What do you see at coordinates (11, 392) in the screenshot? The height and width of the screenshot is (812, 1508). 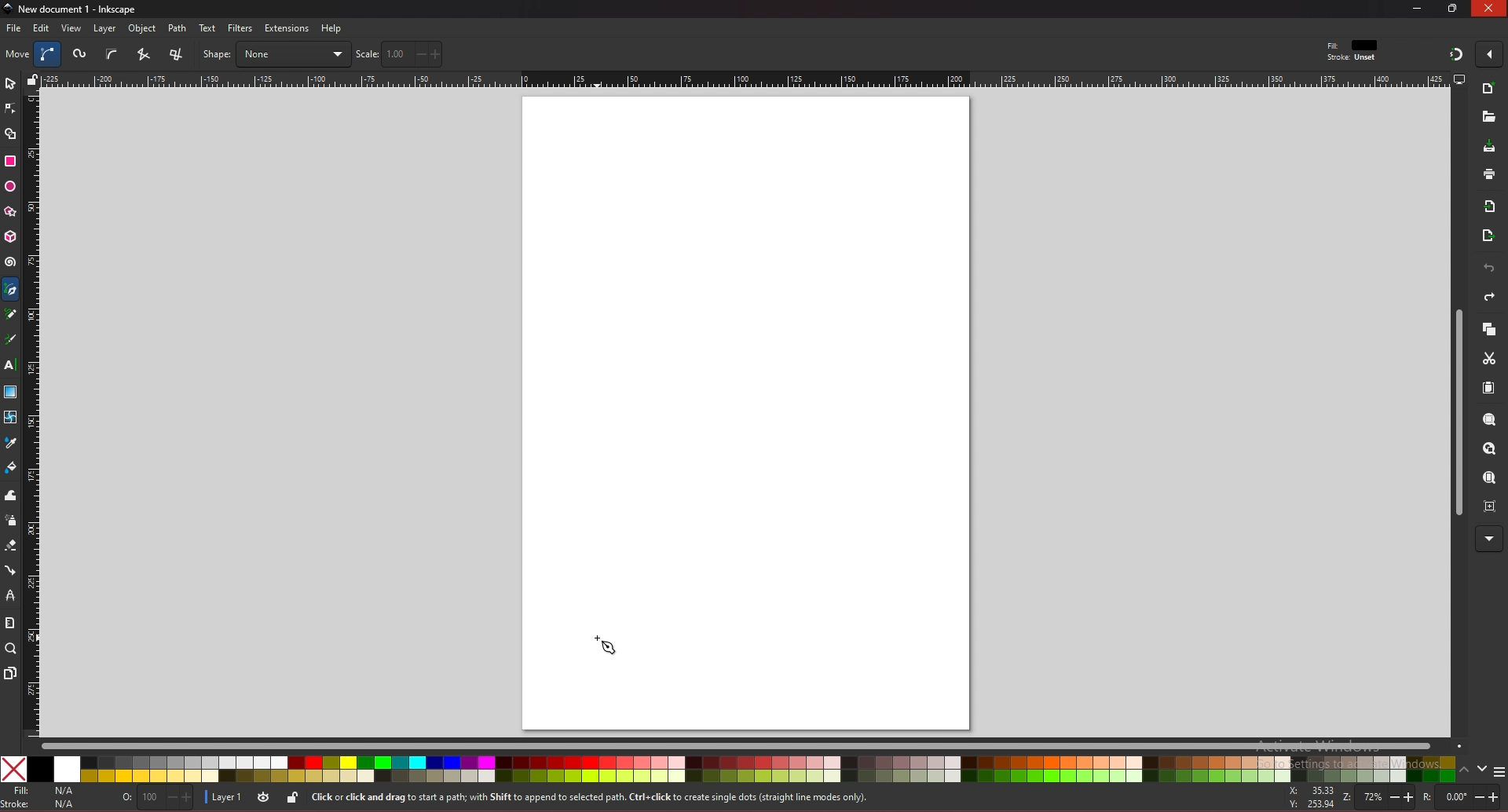 I see `gradient` at bounding box center [11, 392].